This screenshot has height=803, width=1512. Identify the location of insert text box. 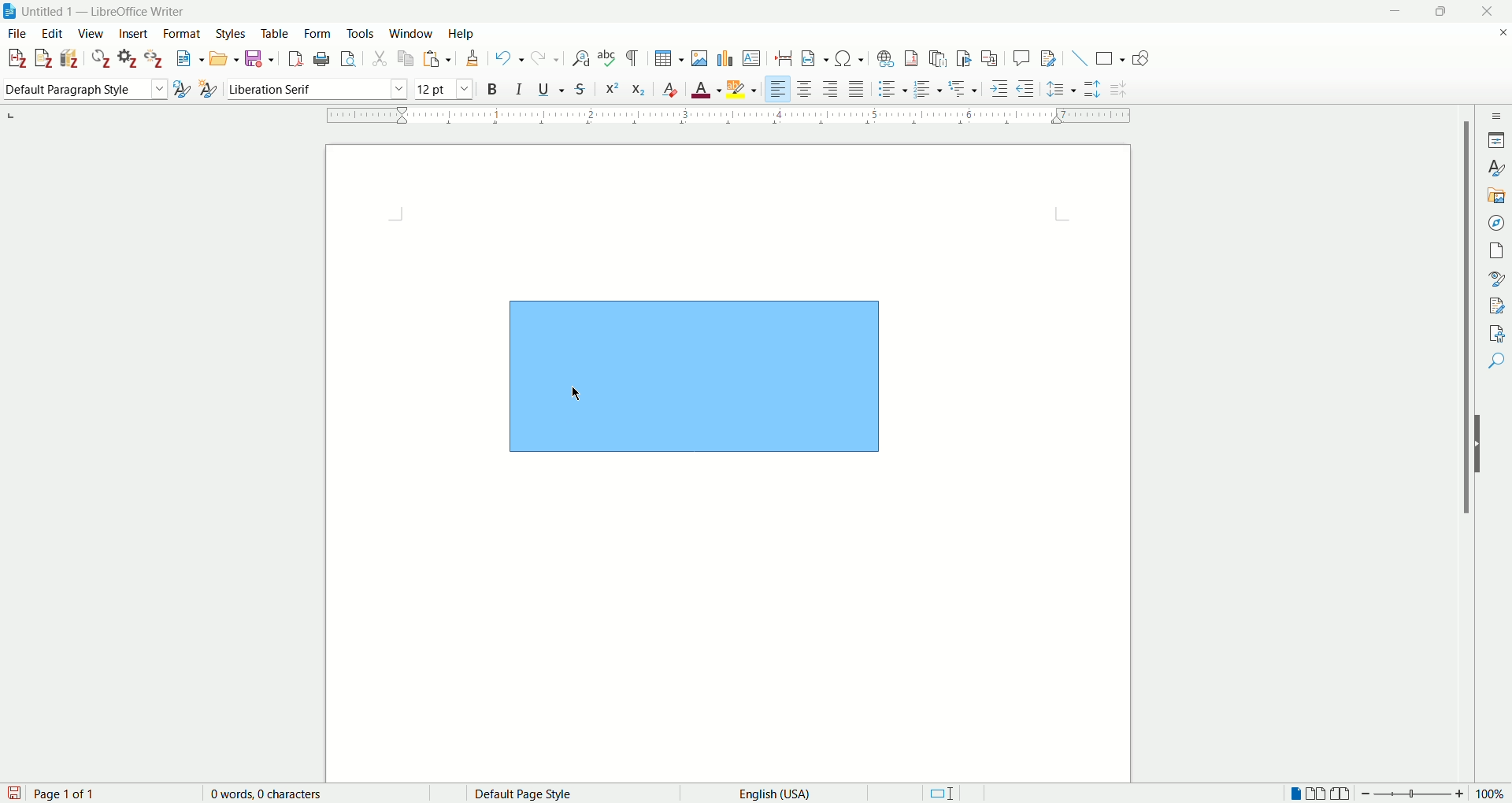
(752, 57).